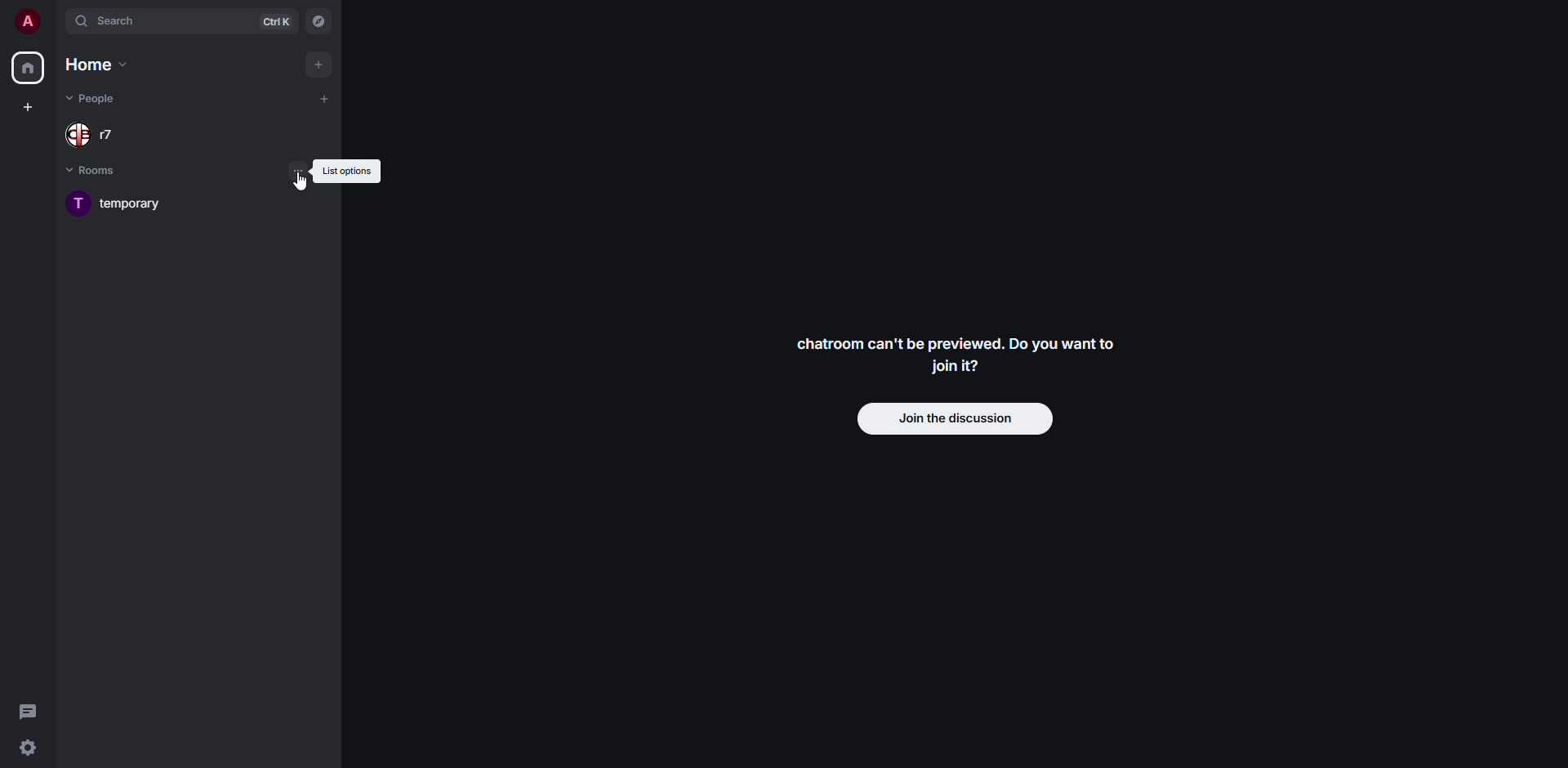  What do you see at coordinates (317, 23) in the screenshot?
I see `navigator` at bounding box center [317, 23].